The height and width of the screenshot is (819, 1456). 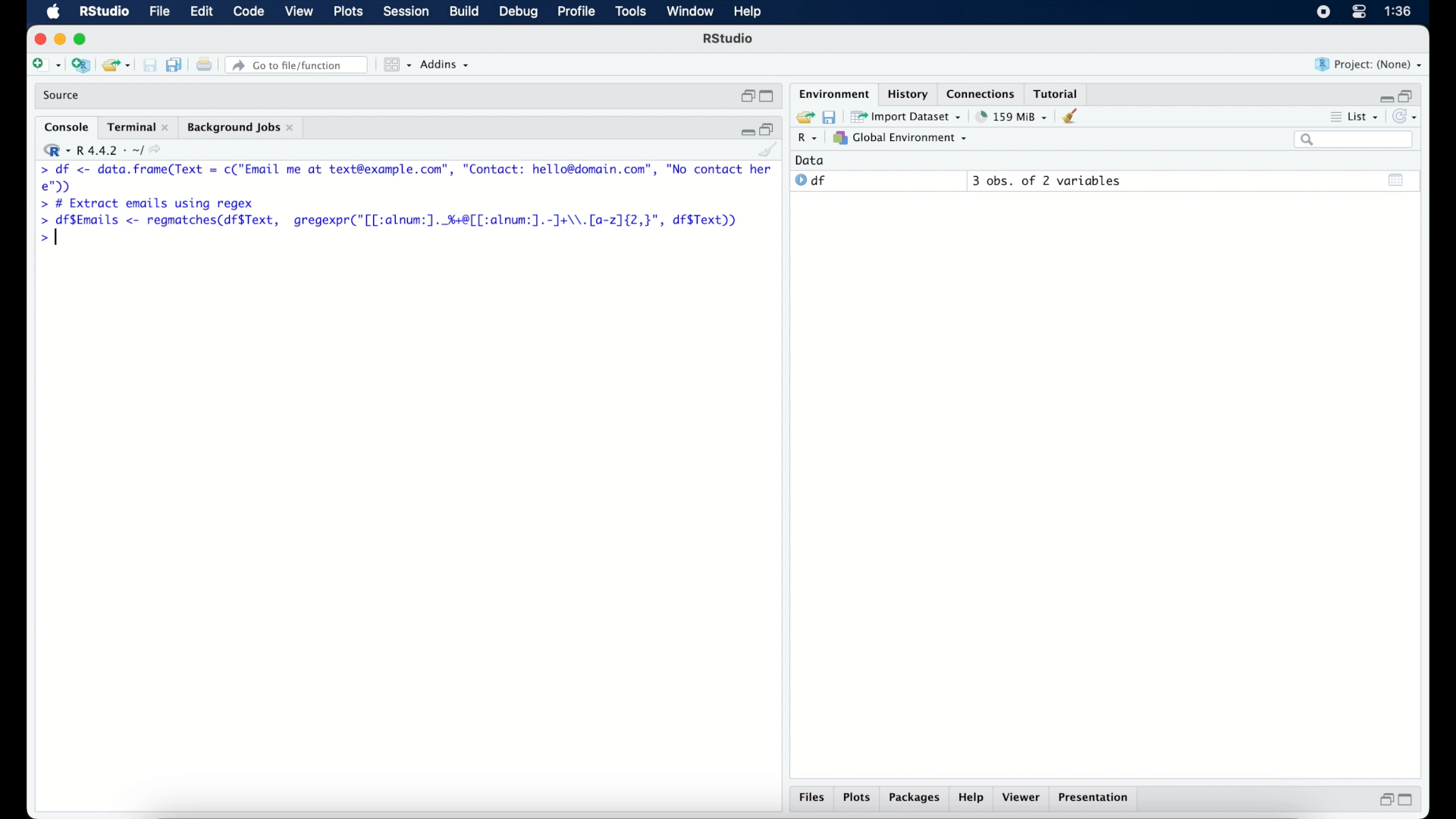 What do you see at coordinates (149, 64) in the screenshot?
I see `print` at bounding box center [149, 64].